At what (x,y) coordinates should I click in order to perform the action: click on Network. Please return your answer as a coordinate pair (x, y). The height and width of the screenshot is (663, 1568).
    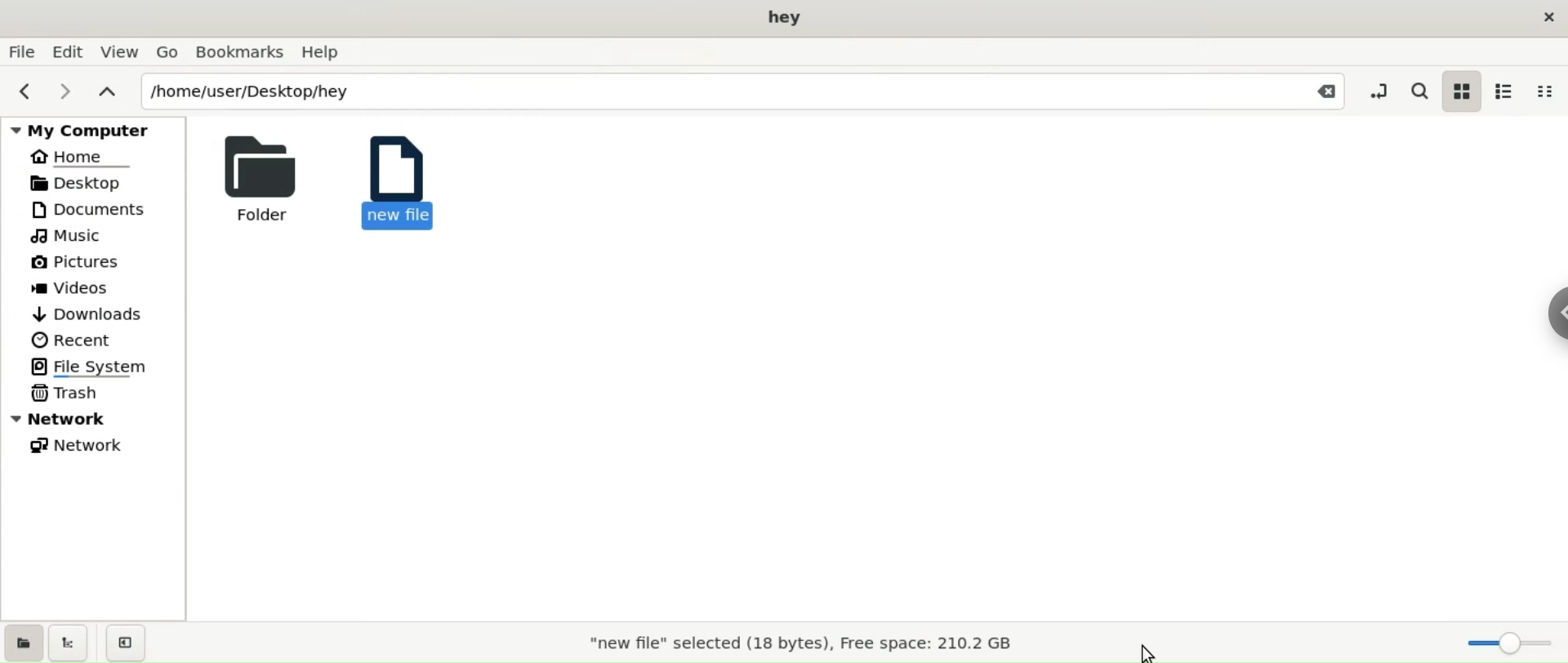
    Looking at the image, I should click on (82, 445).